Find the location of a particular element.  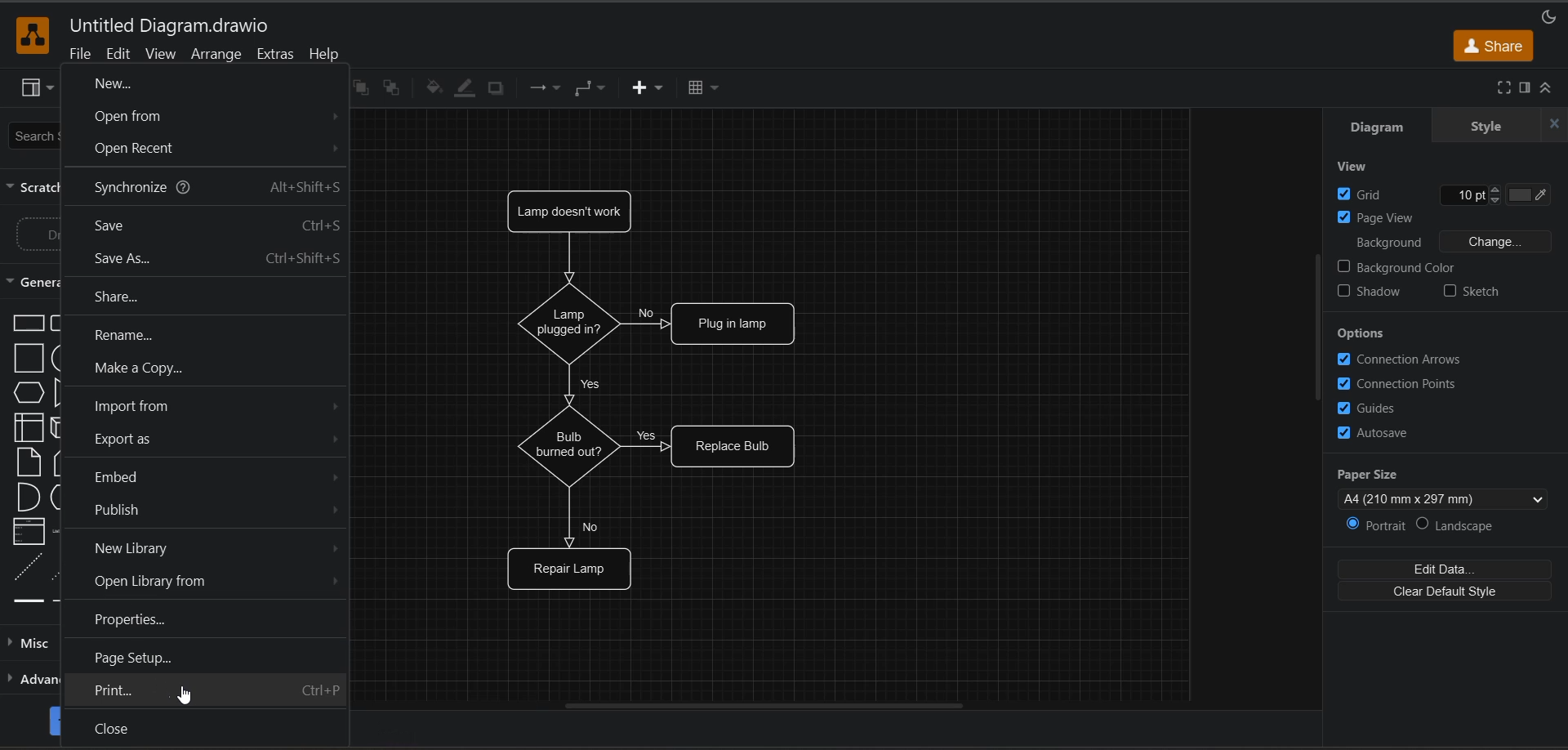

synchronize is located at coordinates (221, 190).